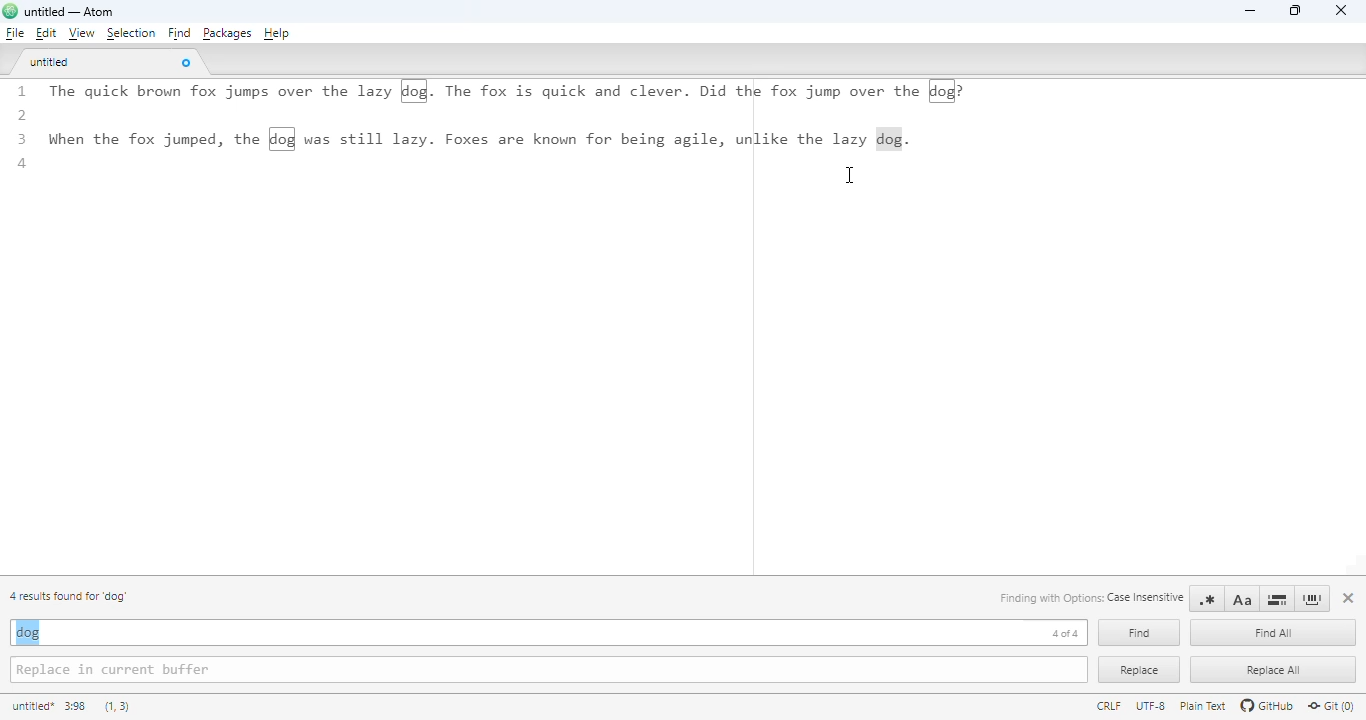 This screenshot has height=720, width=1366. I want to click on The fox is quick and clever. Did the fox jump over the, so click(683, 92).